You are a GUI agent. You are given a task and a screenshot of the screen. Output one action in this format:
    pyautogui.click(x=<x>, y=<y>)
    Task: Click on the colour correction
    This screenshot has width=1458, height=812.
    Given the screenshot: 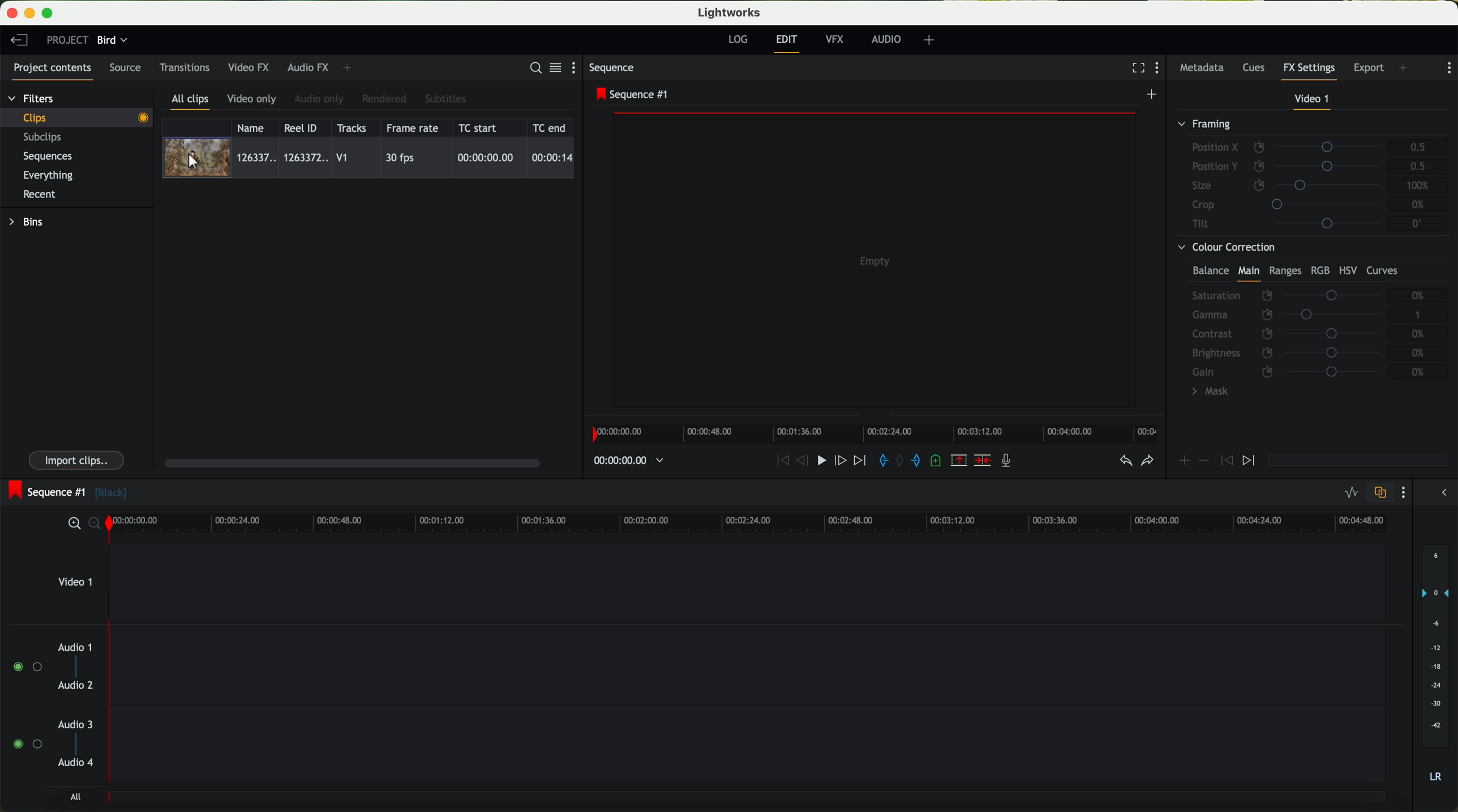 What is the action you would take?
    pyautogui.click(x=1225, y=247)
    